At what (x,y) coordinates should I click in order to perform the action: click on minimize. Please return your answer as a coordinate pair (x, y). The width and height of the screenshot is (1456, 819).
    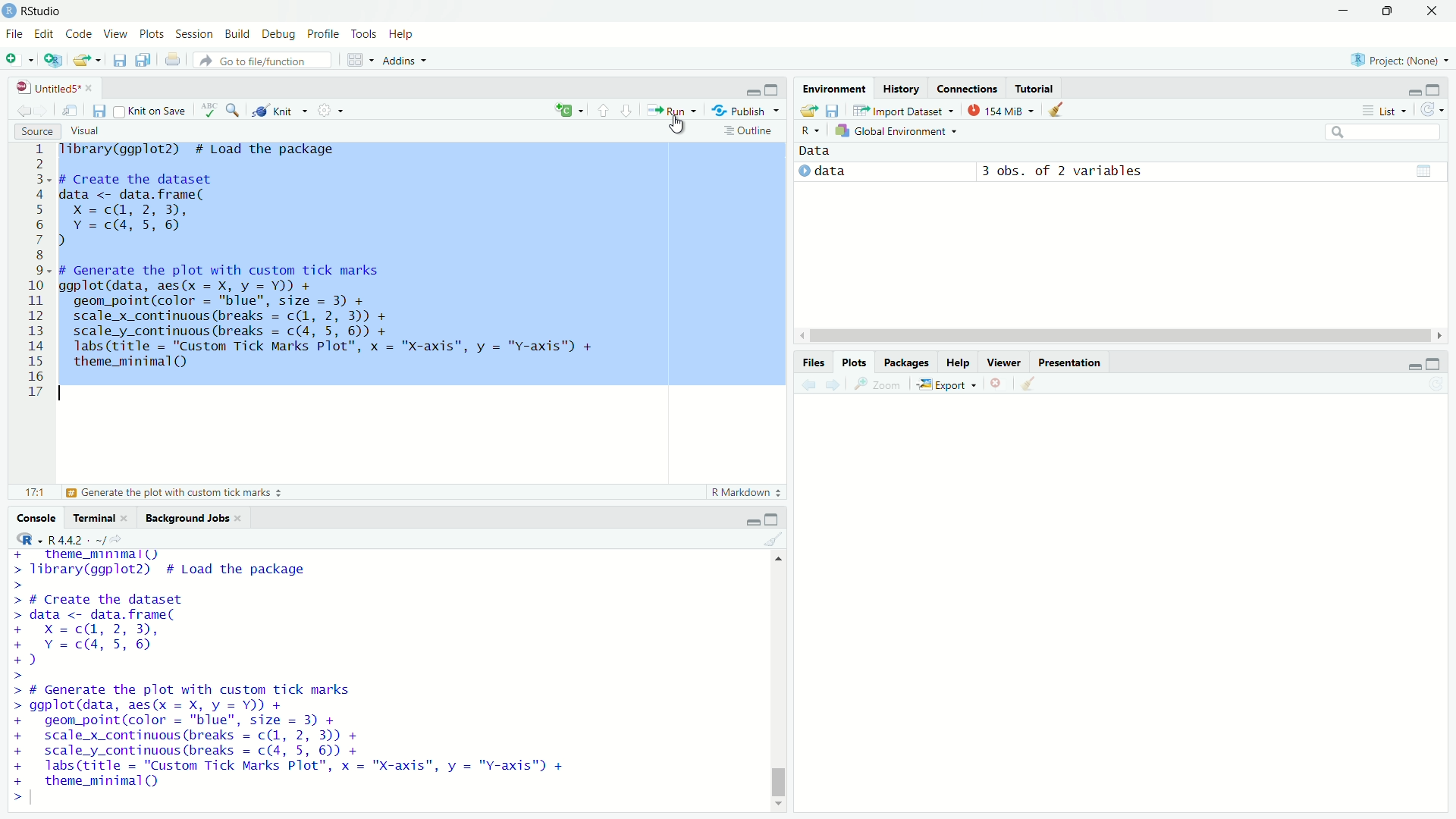
    Looking at the image, I should click on (1410, 366).